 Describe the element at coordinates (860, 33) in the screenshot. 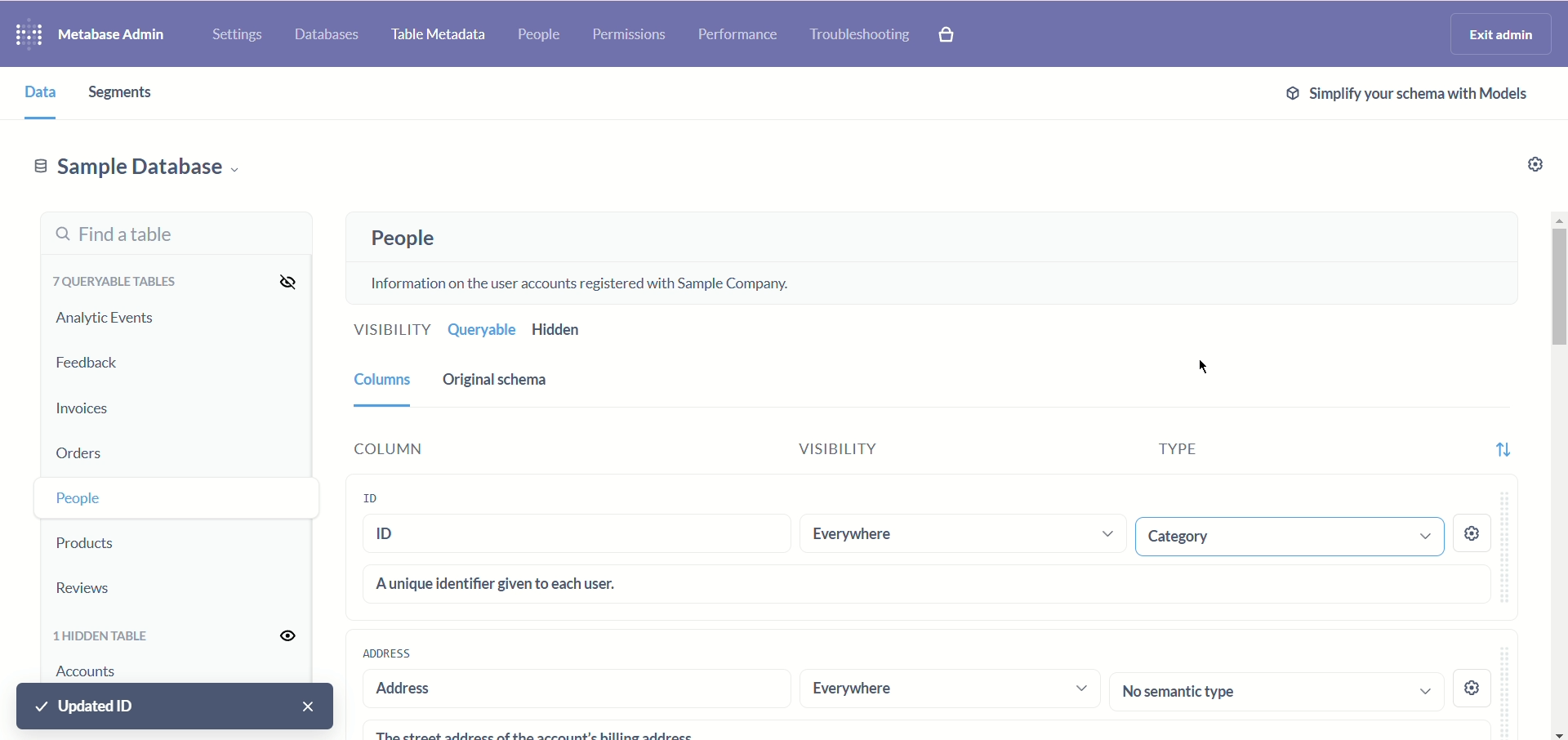

I see `Troubleshooting` at that location.